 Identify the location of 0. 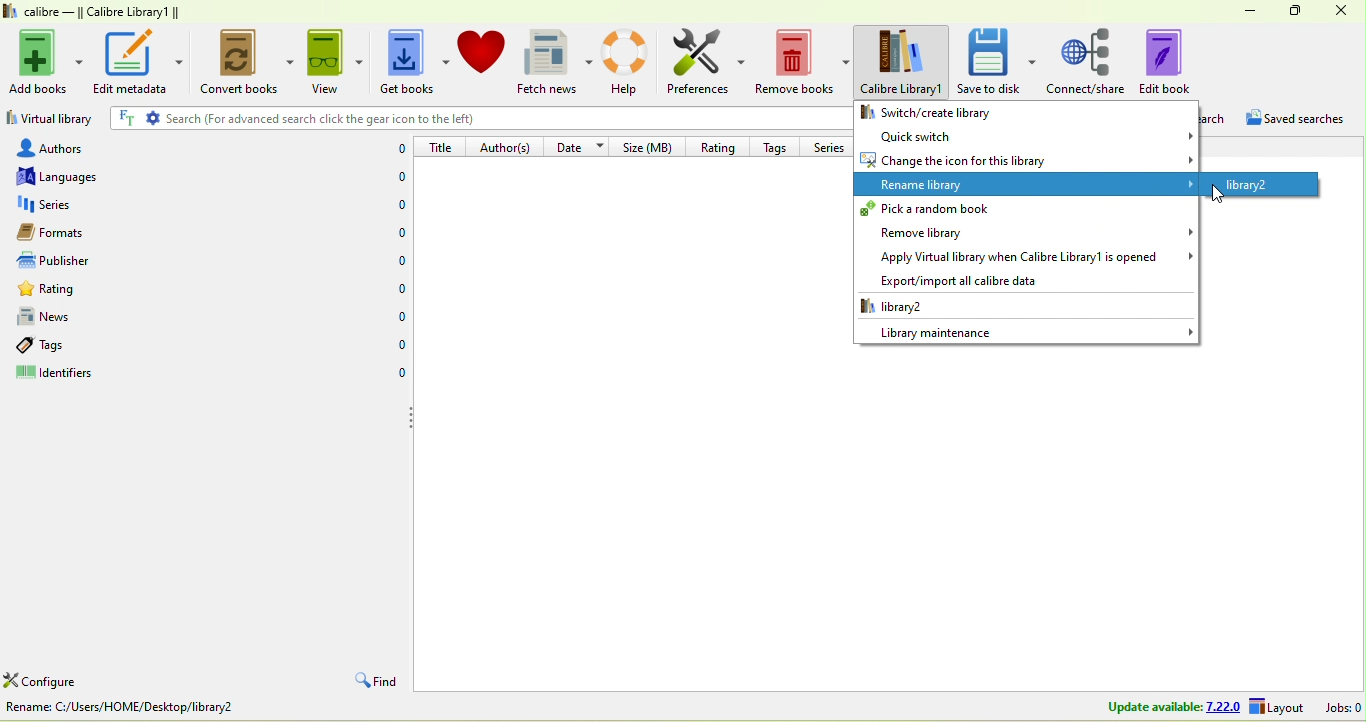
(391, 205).